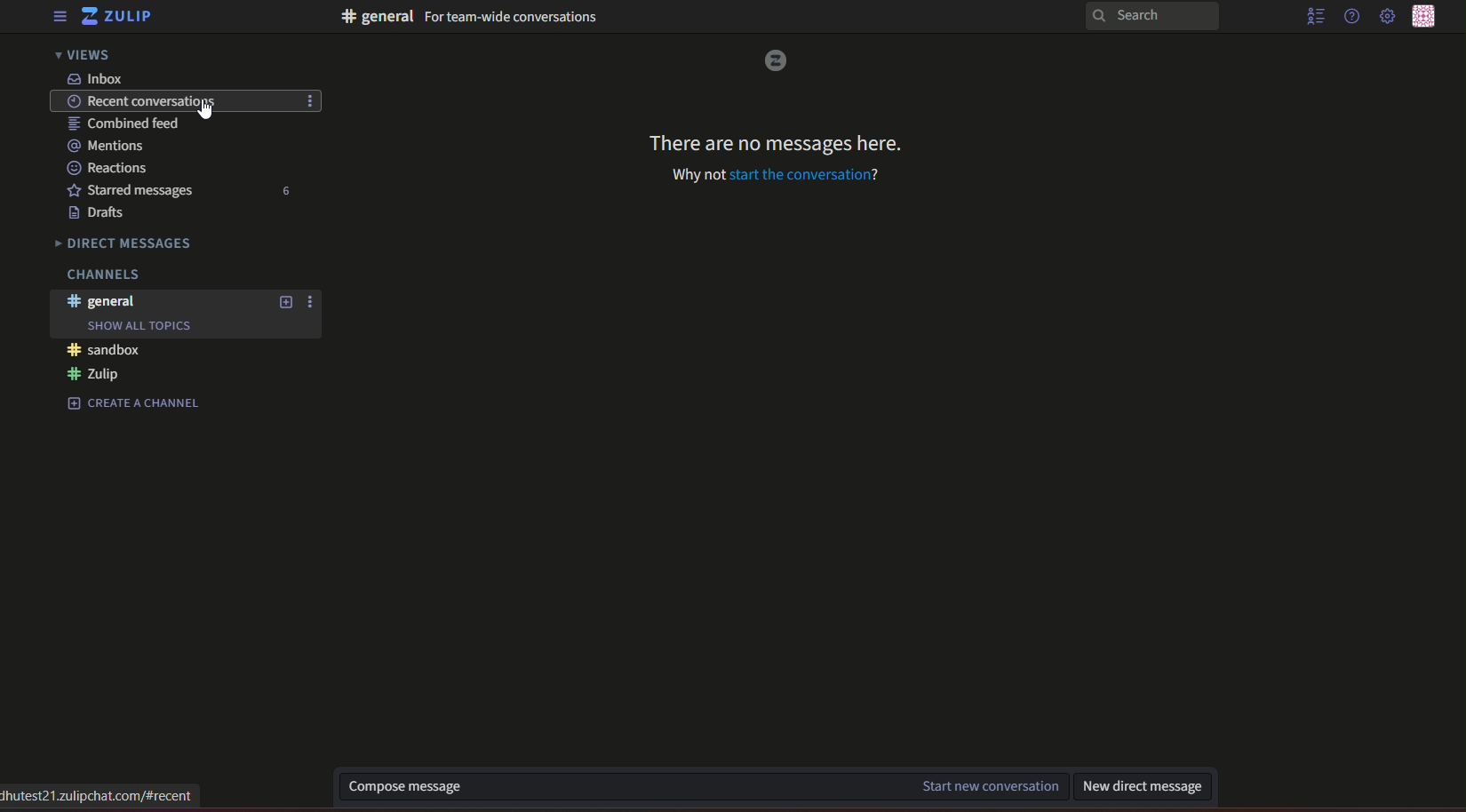 This screenshot has height=812, width=1466. I want to click on #general, so click(106, 301).